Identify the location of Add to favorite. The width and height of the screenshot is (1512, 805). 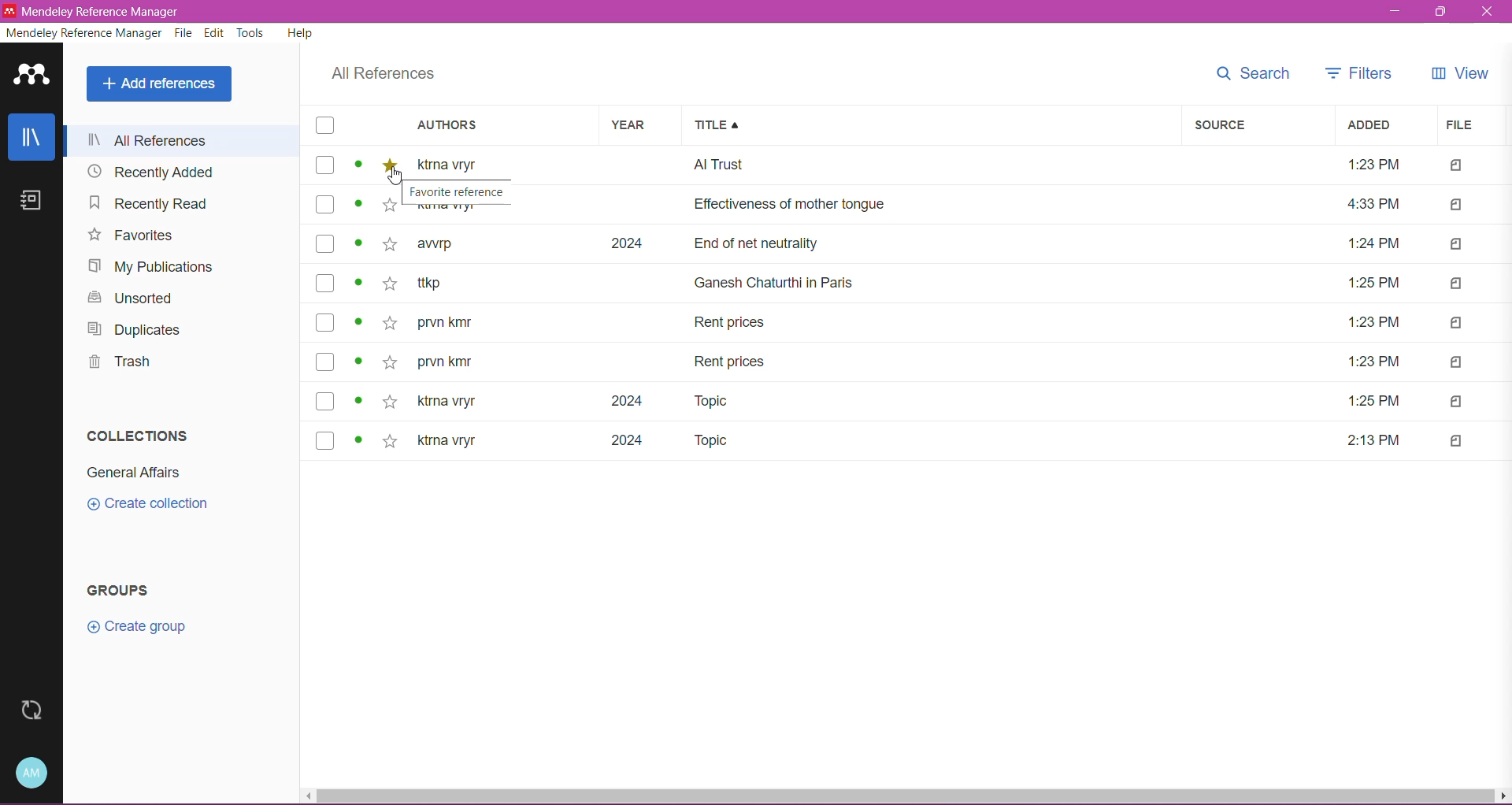
(390, 205).